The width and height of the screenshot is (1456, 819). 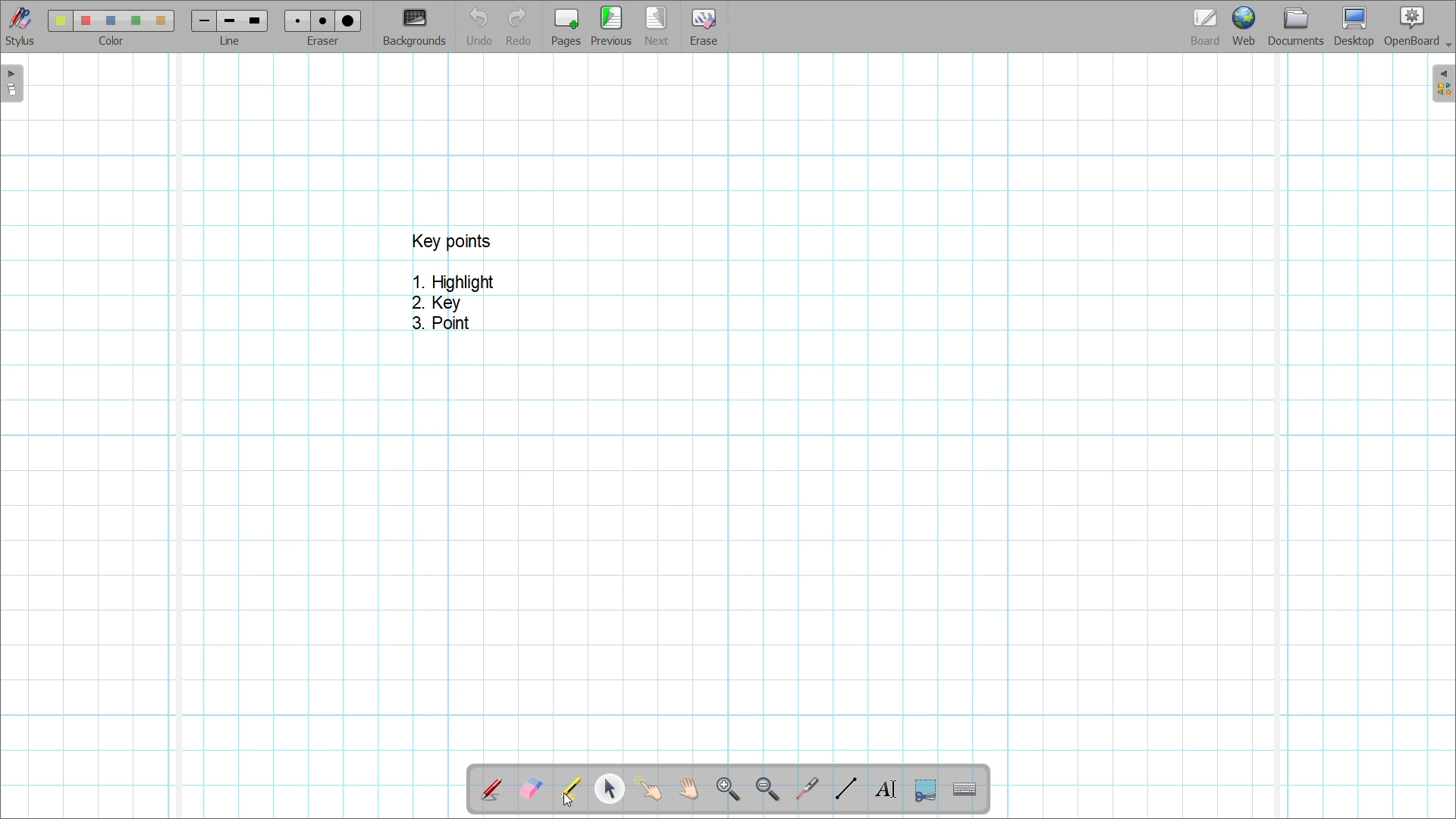 What do you see at coordinates (611, 26) in the screenshot?
I see `Go to previous page` at bounding box center [611, 26].